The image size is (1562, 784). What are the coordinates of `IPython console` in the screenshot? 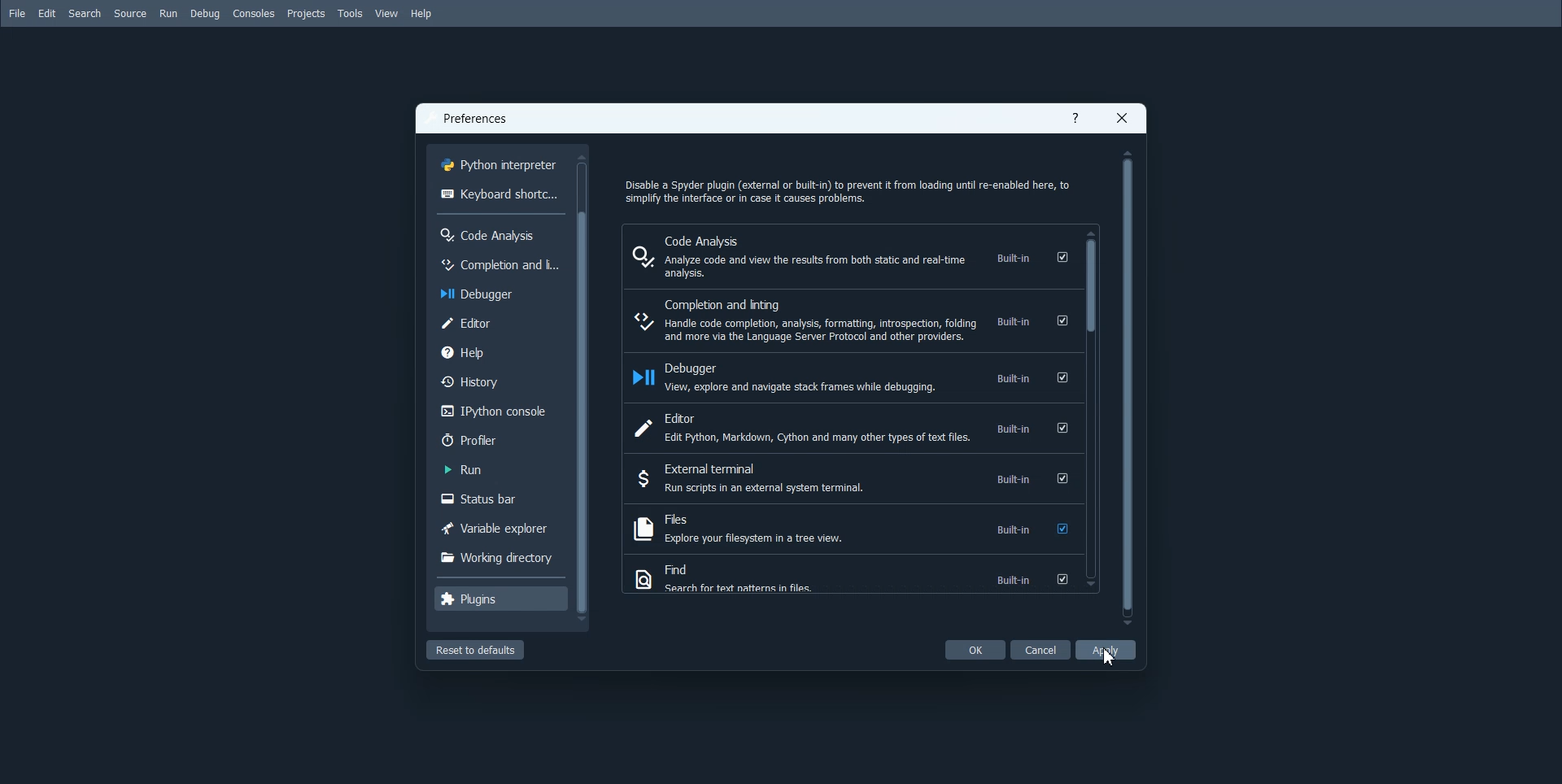 It's located at (499, 411).